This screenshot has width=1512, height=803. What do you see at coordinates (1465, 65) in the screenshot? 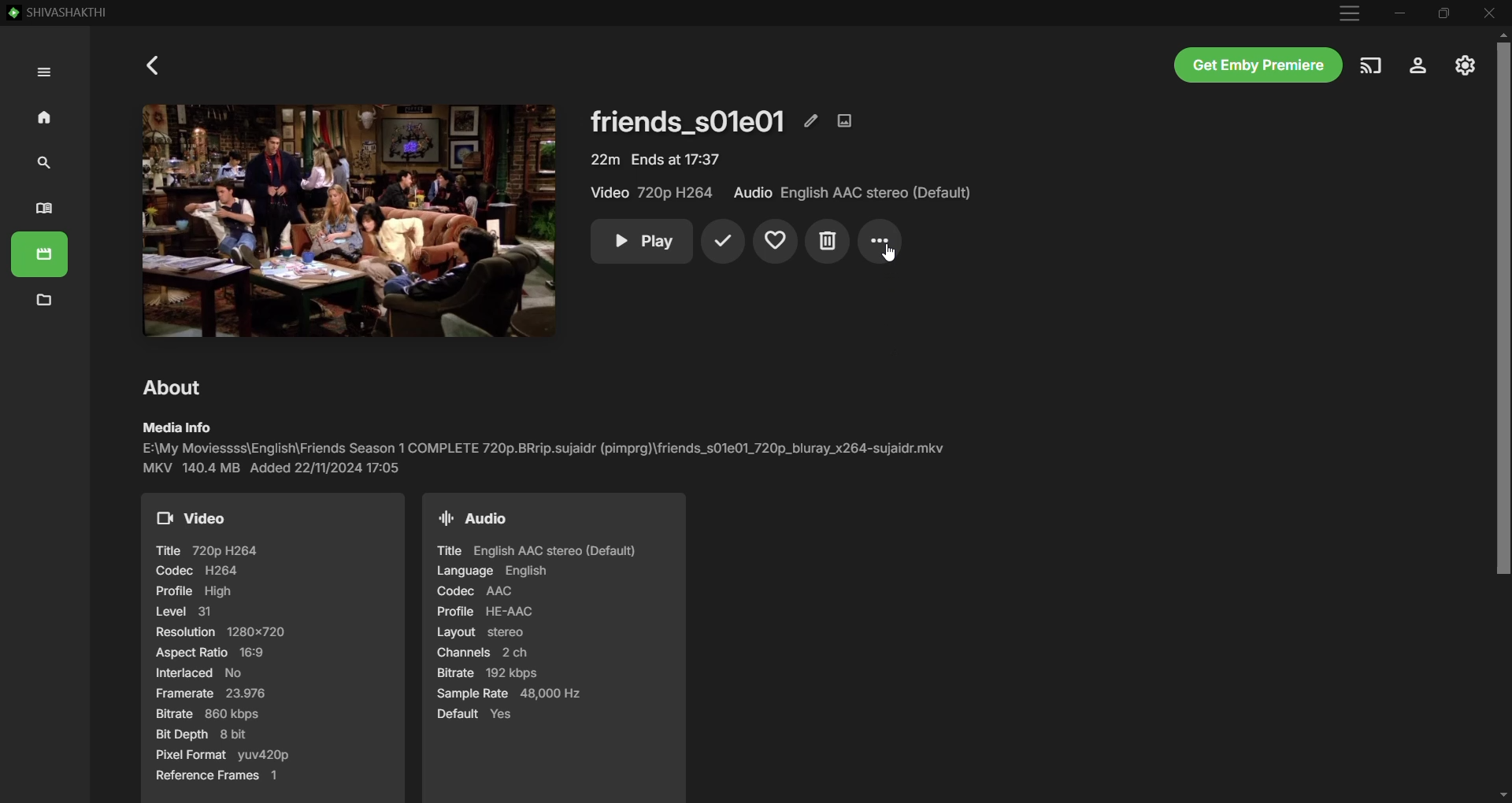
I see `Manage Emby Server` at bounding box center [1465, 65].